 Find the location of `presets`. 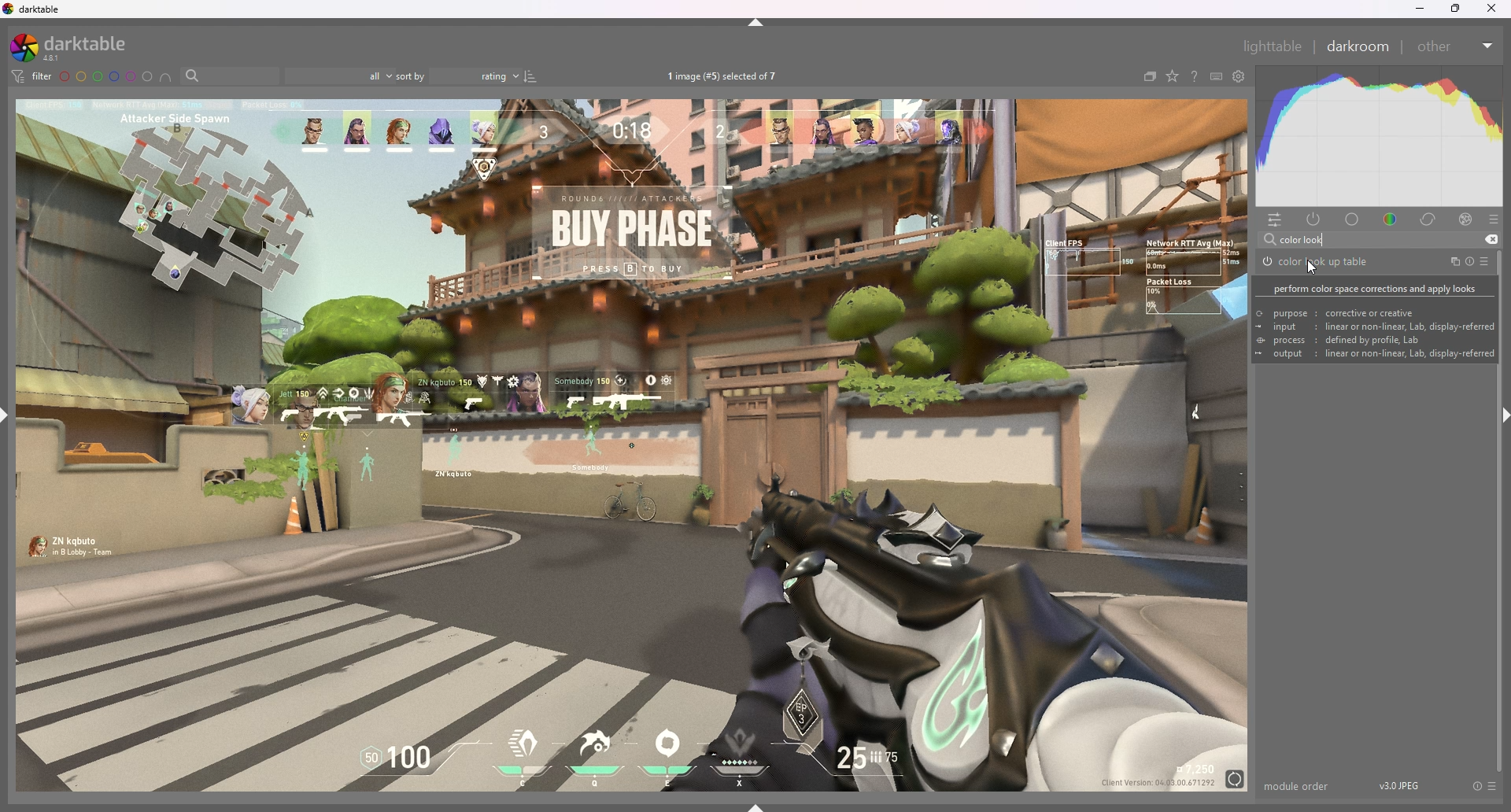

presets is located at coordinates (1491, 785).